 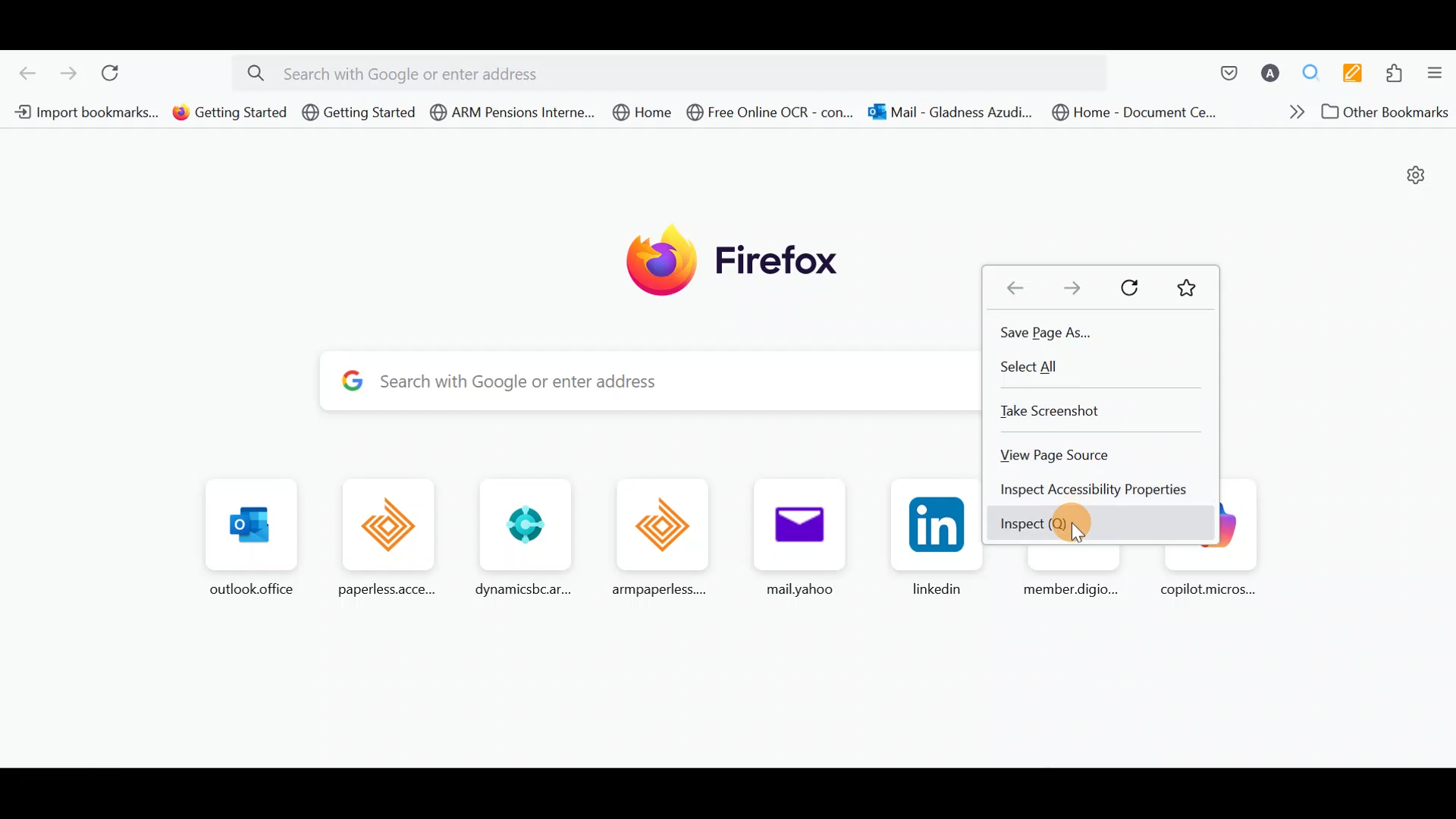 I want to click on Save page as, so click(x=1049, y=331).